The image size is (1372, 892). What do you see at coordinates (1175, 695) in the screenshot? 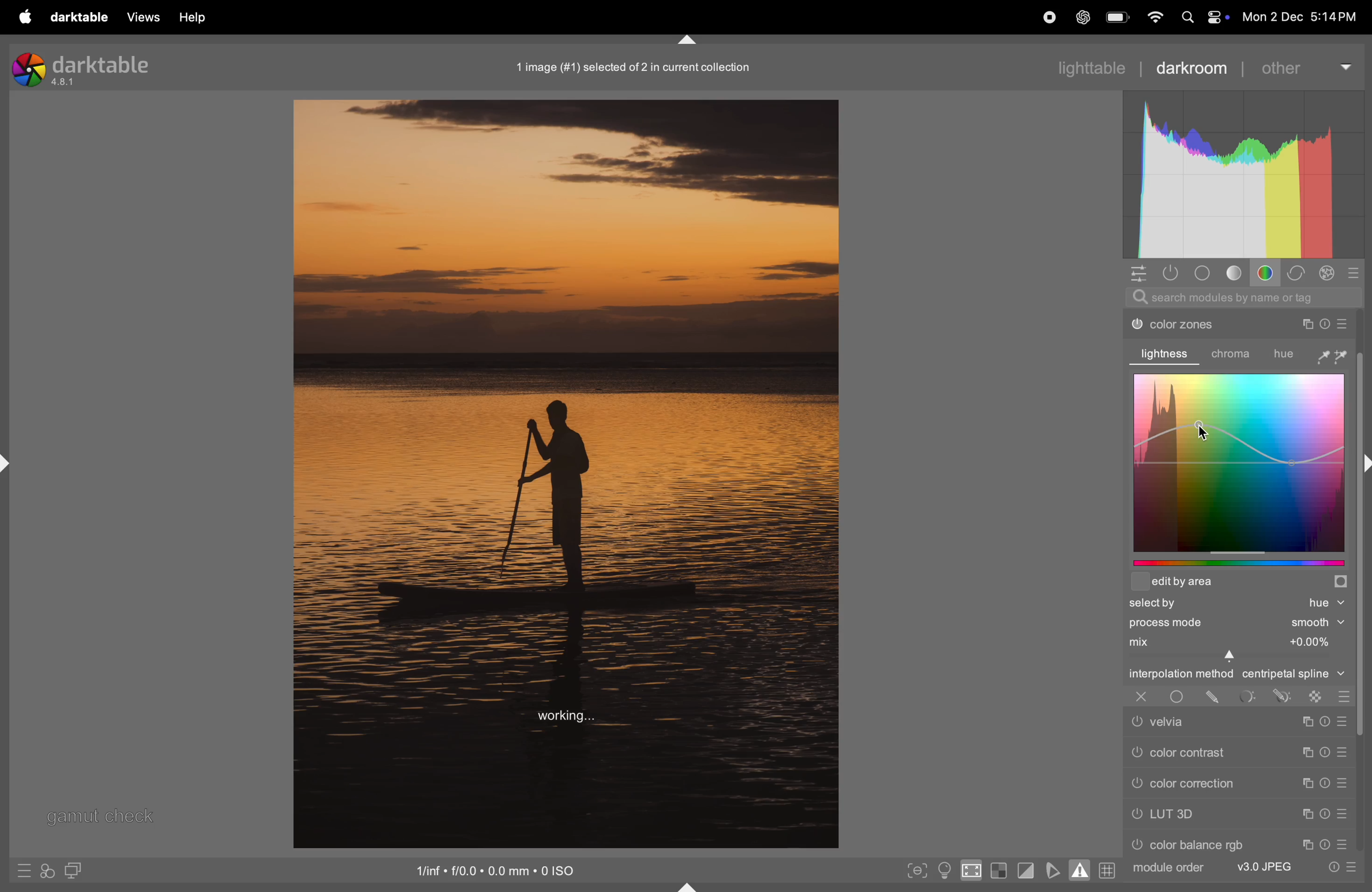
I see `` at bounding box center [1175, 695].